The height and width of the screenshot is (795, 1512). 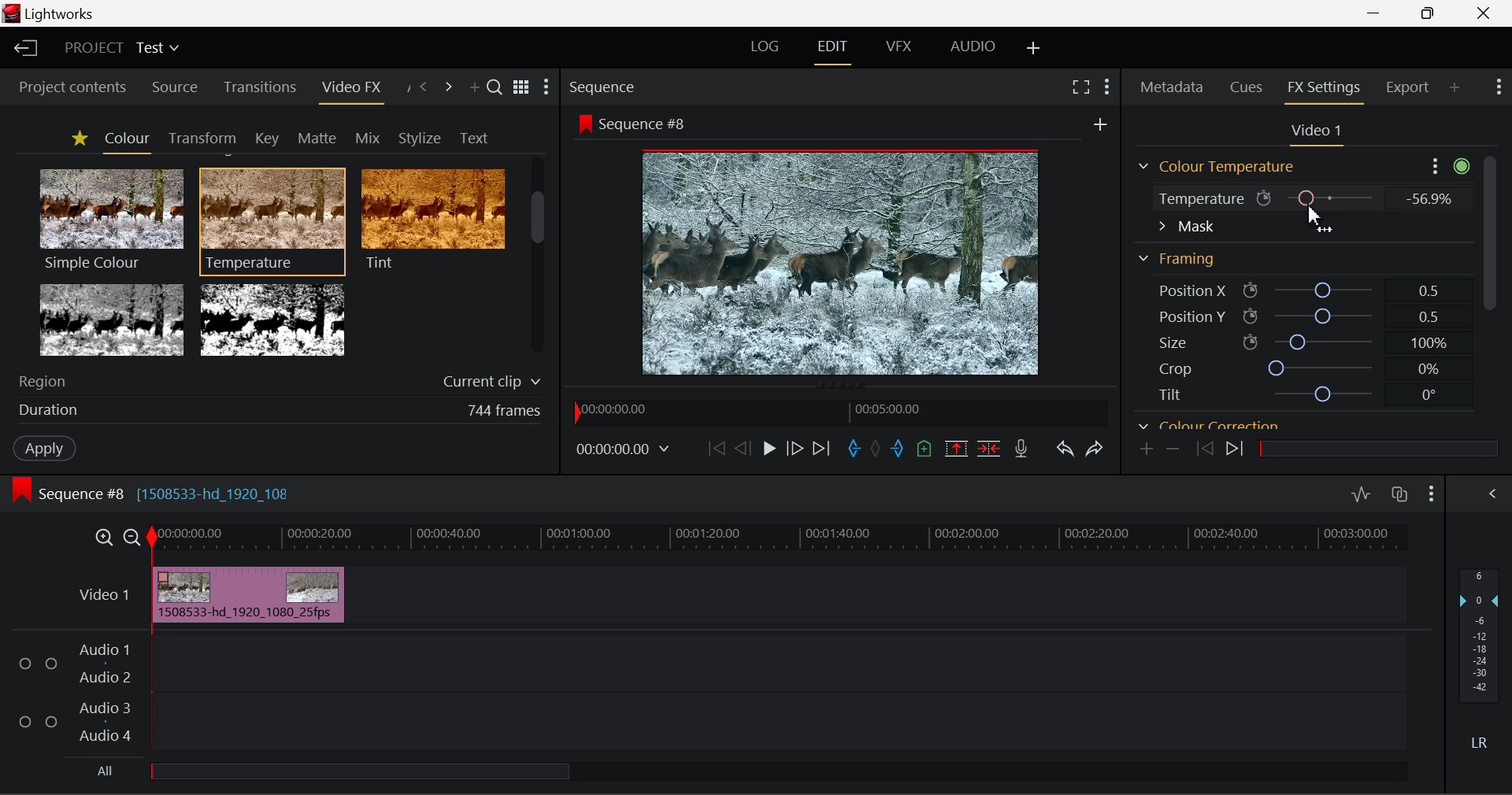 I want to click on Timeline Zoom In, so click(x=106, y=536).